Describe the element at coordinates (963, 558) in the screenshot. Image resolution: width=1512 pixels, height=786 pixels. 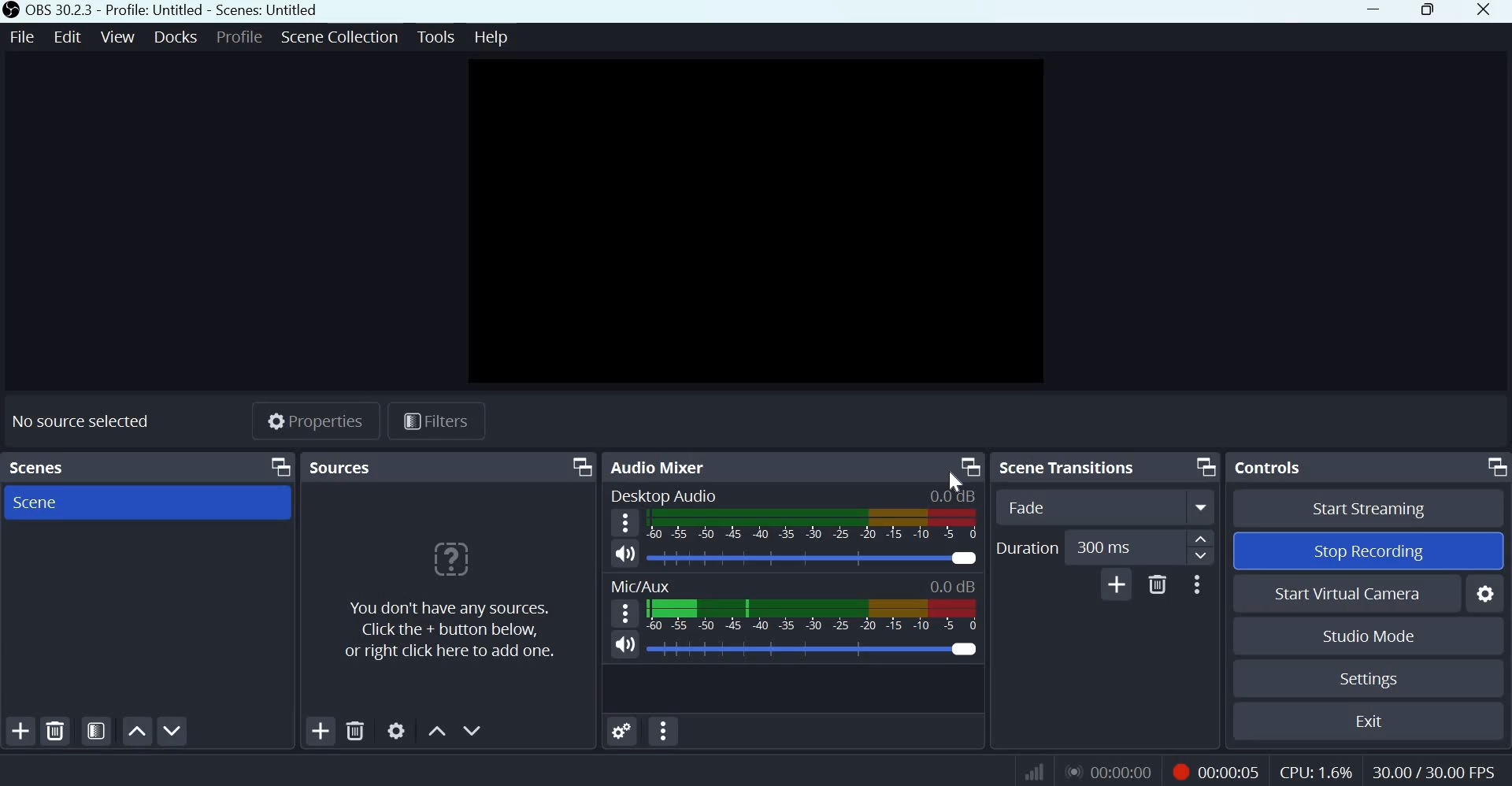
I see `Audio Slider` at that location.